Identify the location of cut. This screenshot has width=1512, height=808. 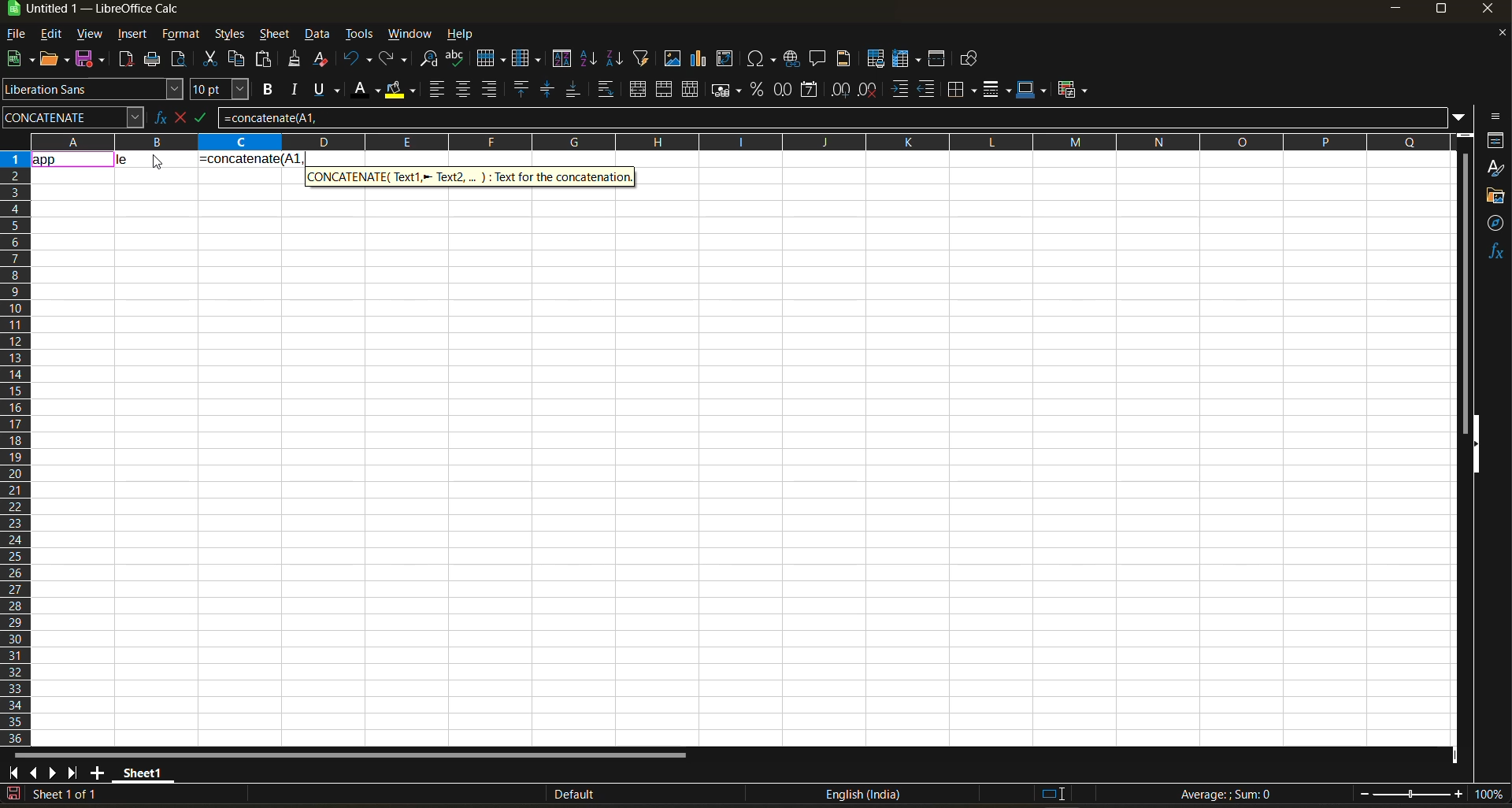
(213, 60).